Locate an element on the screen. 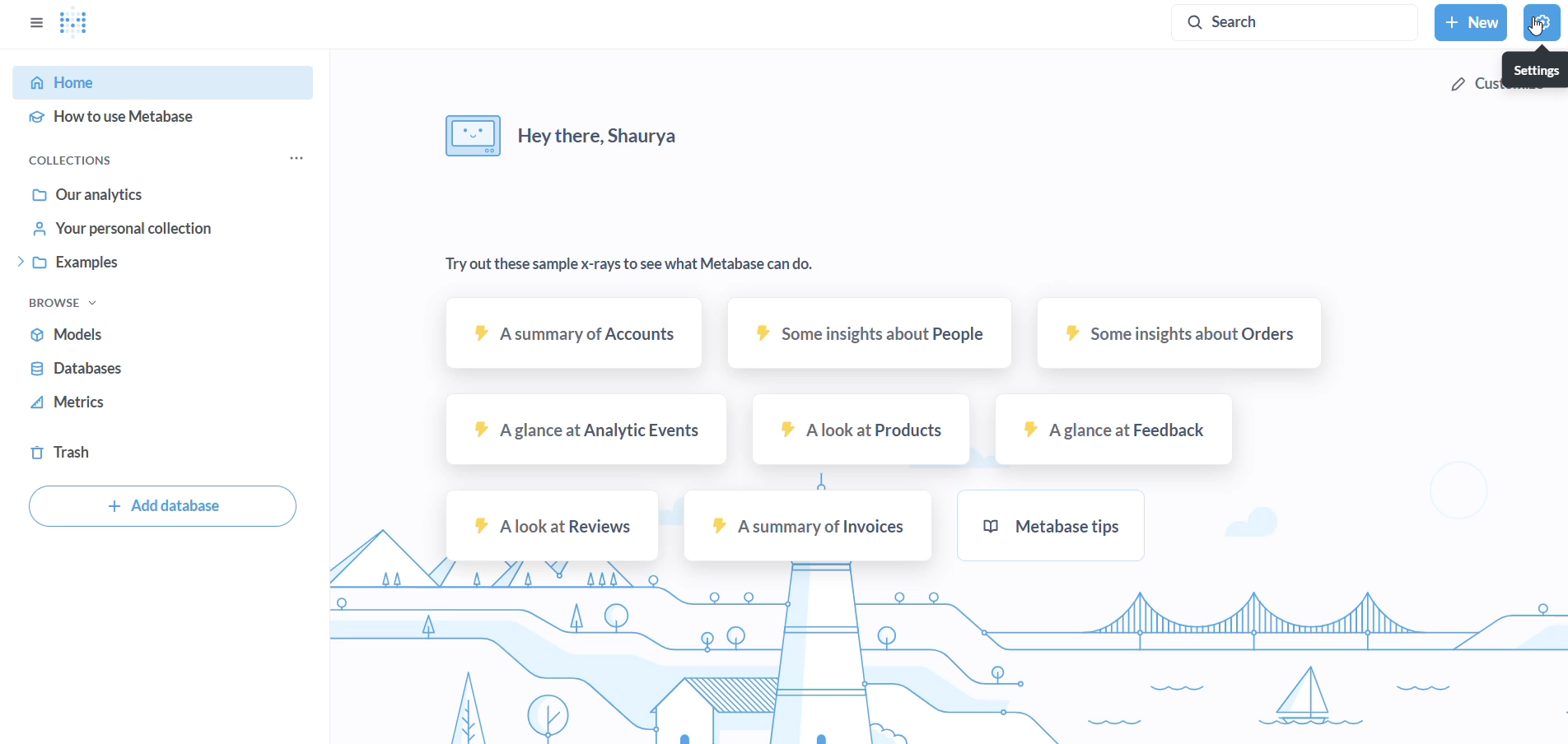  options is located at coordinates (295, 156).